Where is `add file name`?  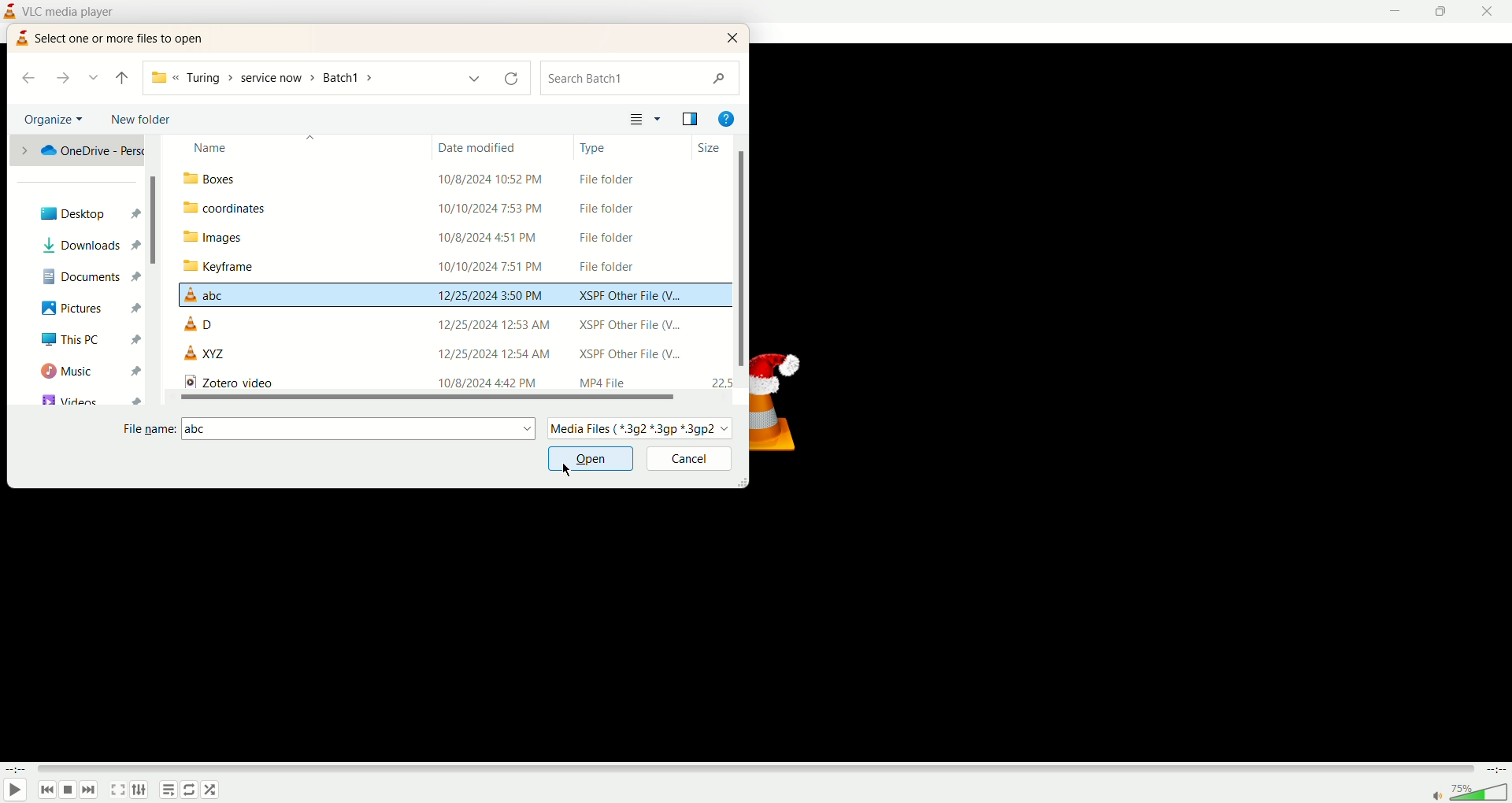
add file name is located at coordinates (358, 430).